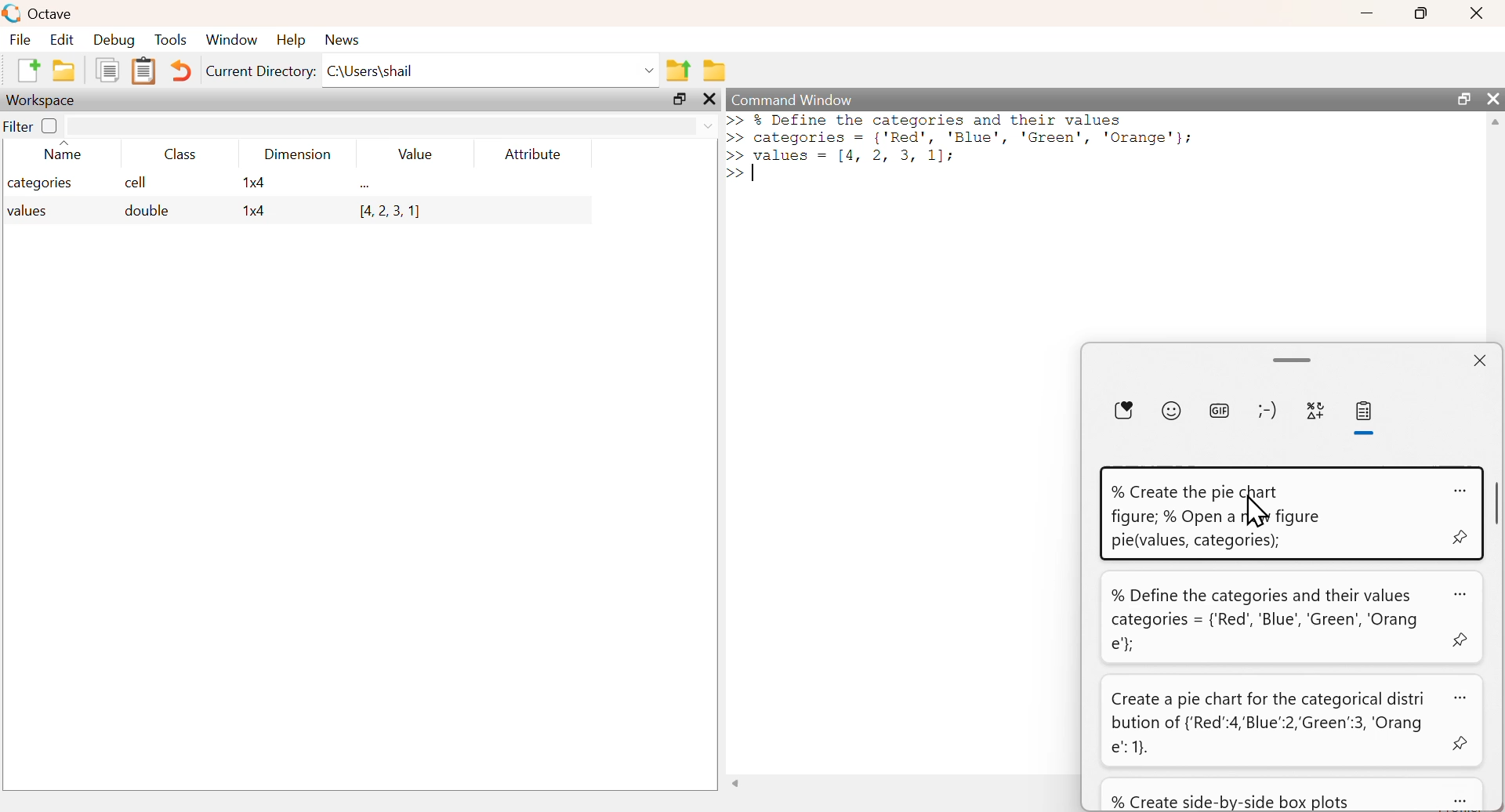  What do you see at coordinates (1461, 535) in the screenshot?
I see `pin` at bounding box center [1461, 535].